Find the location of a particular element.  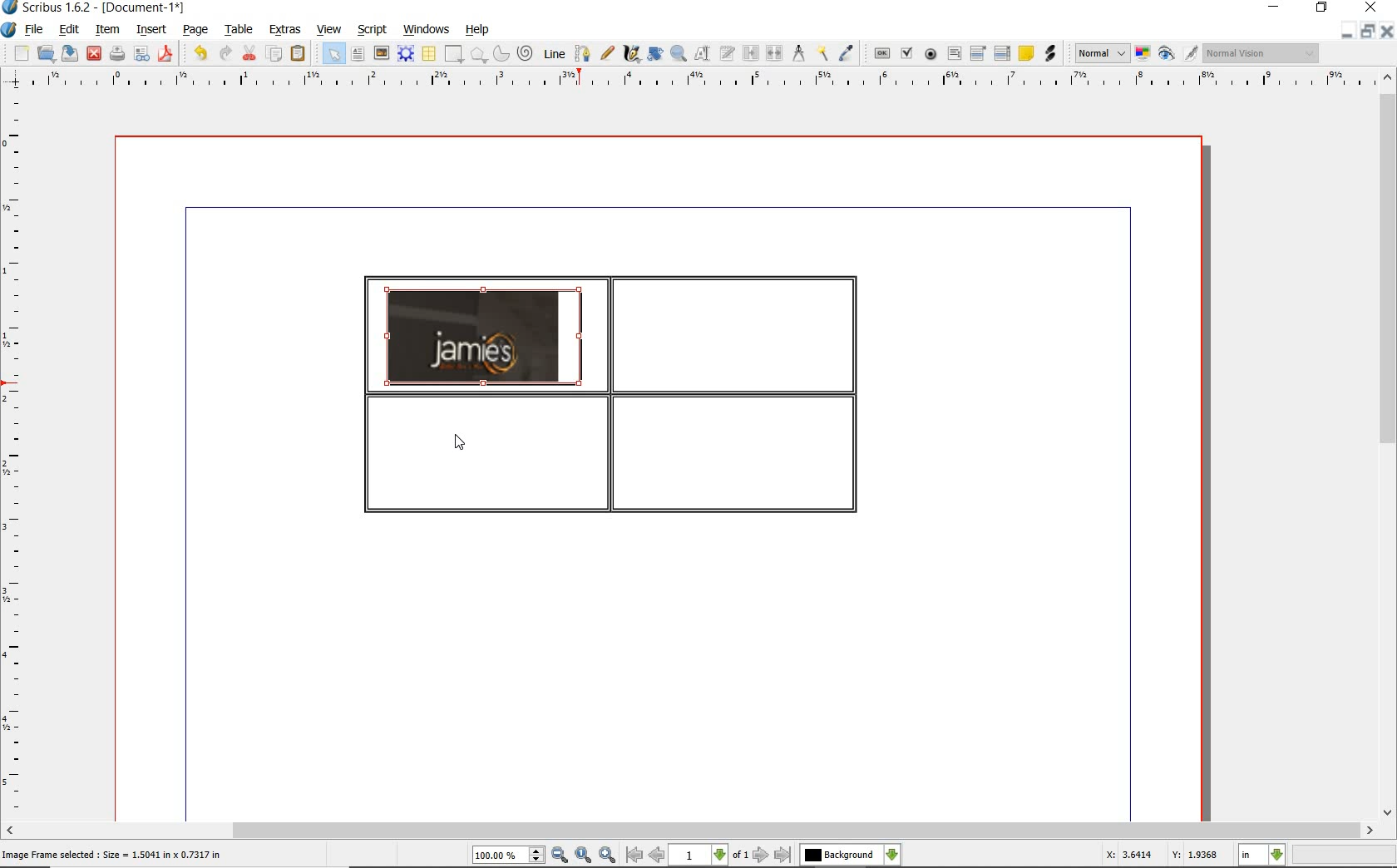

save is located at coordinates (71, 52).